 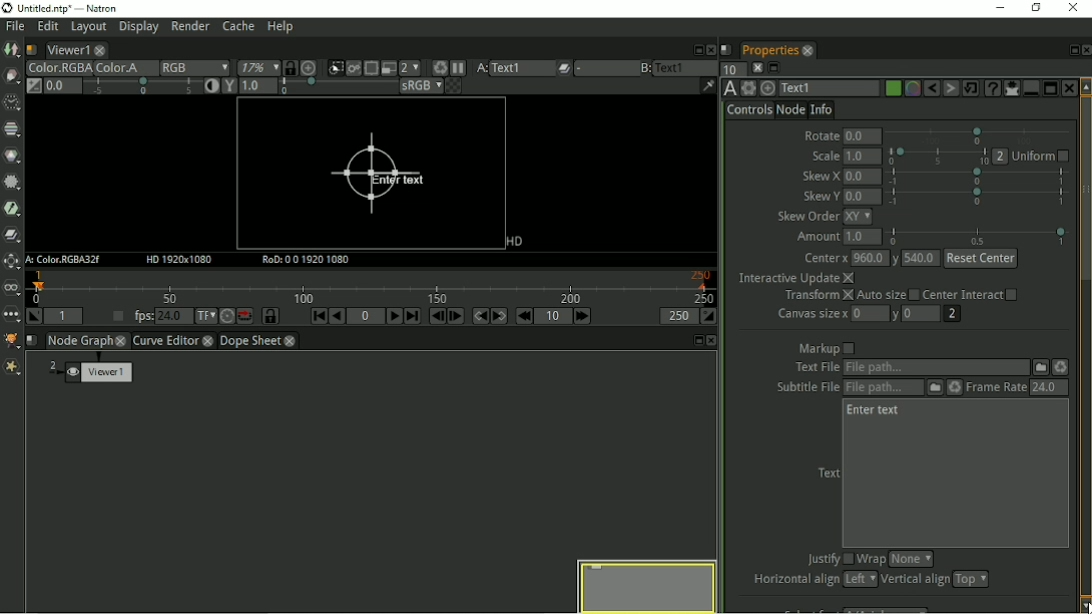 I want to click on Maximum number of panels, so click(x=733, y=69).